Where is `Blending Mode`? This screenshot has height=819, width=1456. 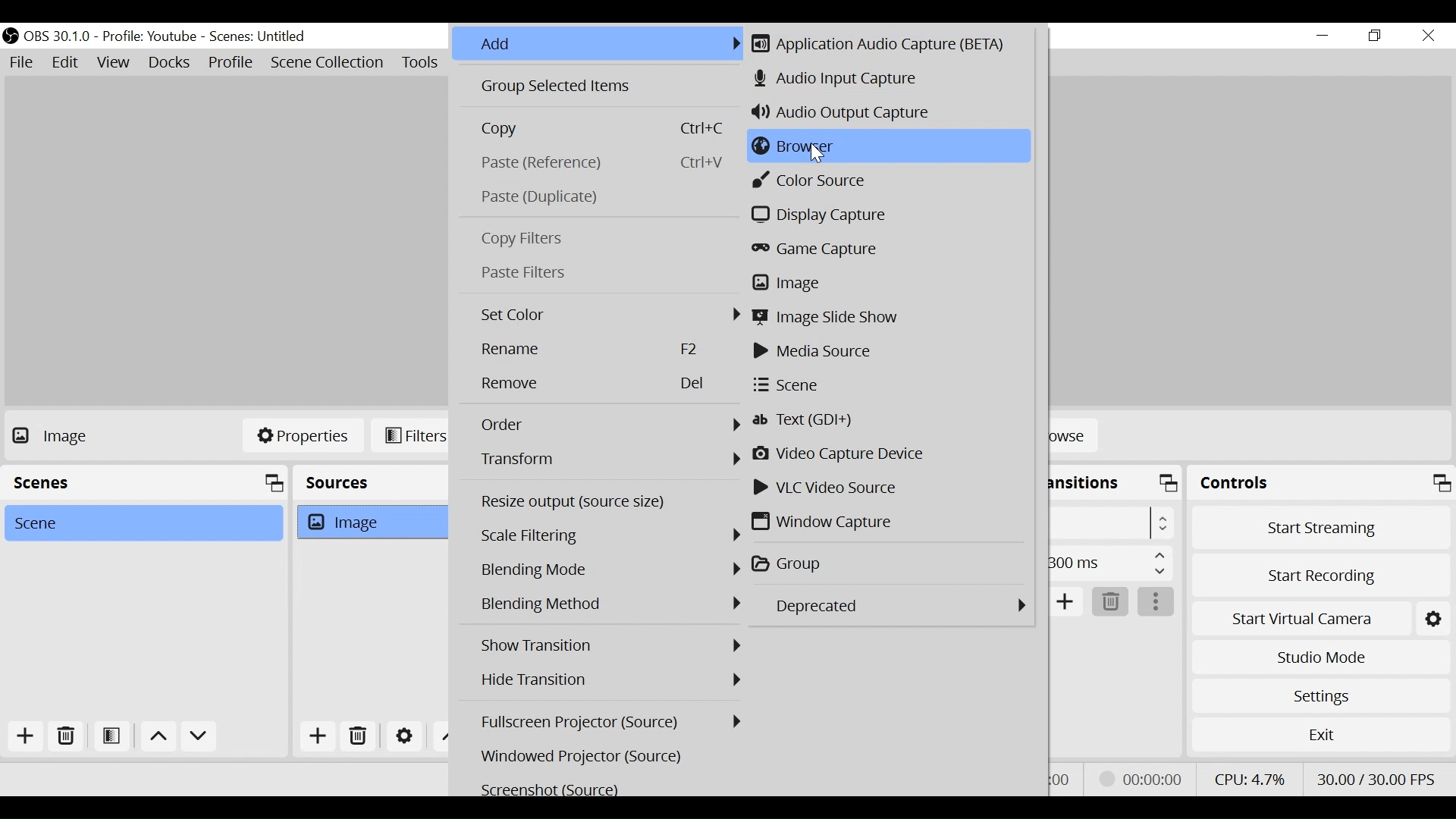
Blending Mode is located at coordinates (615, 570).